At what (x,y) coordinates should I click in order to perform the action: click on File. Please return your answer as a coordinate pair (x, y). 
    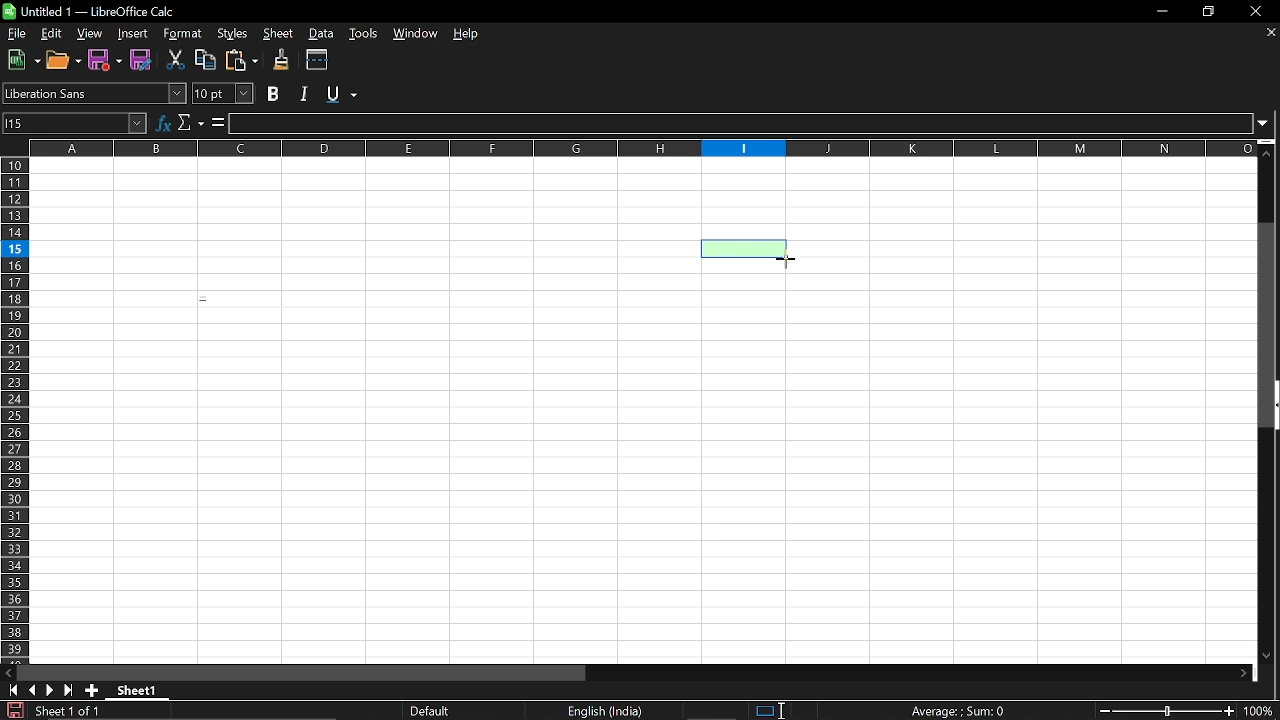
    Looking at the image, I should click on (15, 34).